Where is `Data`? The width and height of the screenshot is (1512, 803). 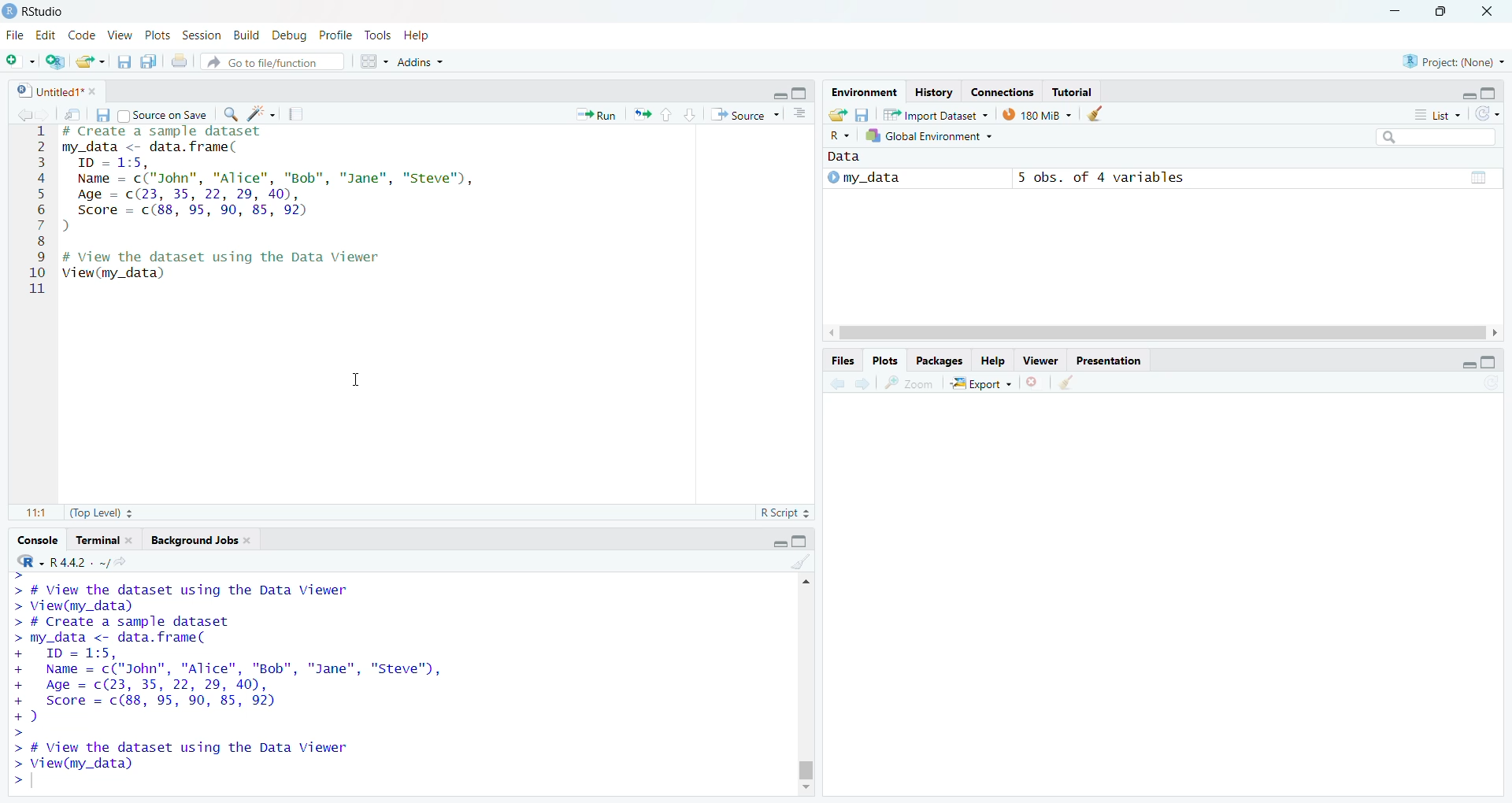 Data is located at coordinates (842, 157).